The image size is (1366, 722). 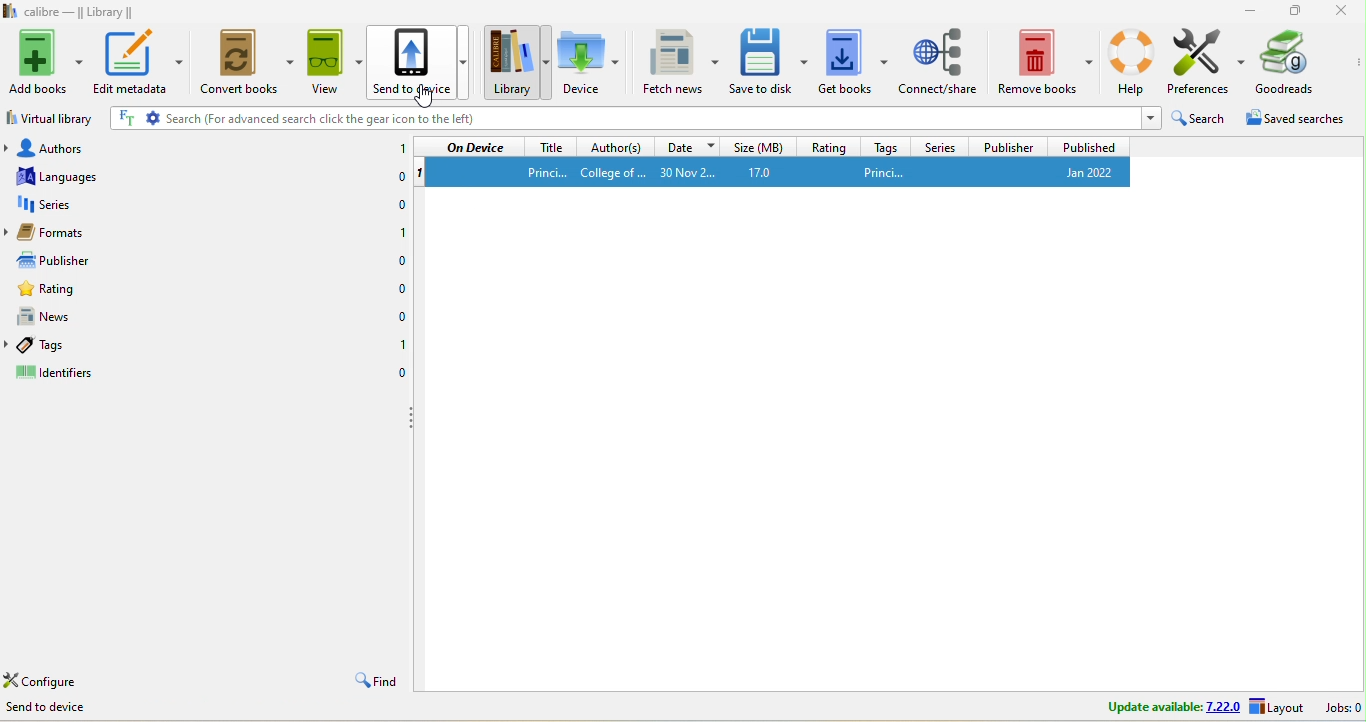 I want to click on book selected, so click(x=781, y=172).